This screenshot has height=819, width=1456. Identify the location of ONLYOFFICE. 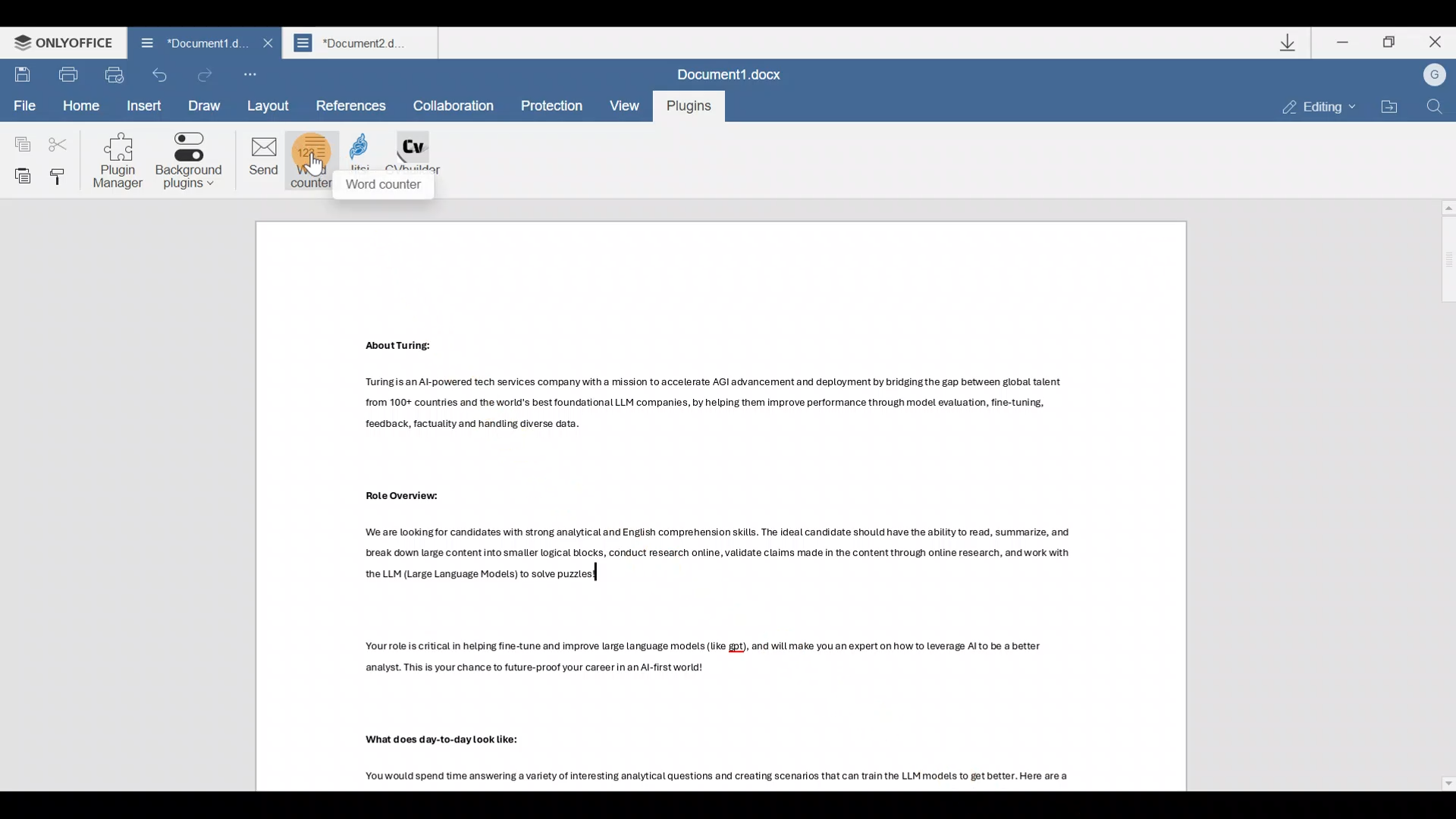
(58, 42).